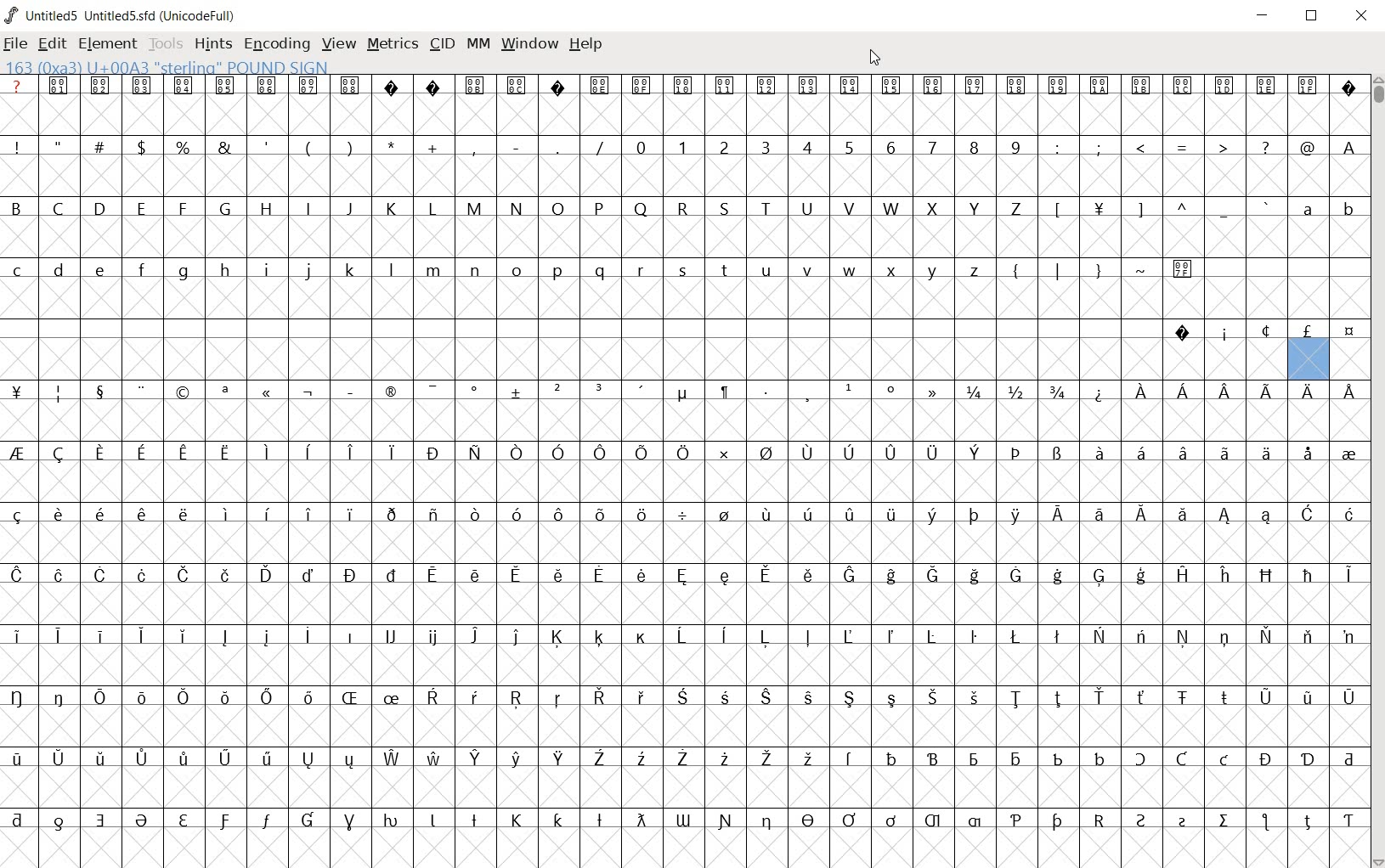 This screenshot has width=1385, height=868. What do you see at coordinates (348, 389) in the screenshot?
I see `Symbol` at bounding box center [348, 389].